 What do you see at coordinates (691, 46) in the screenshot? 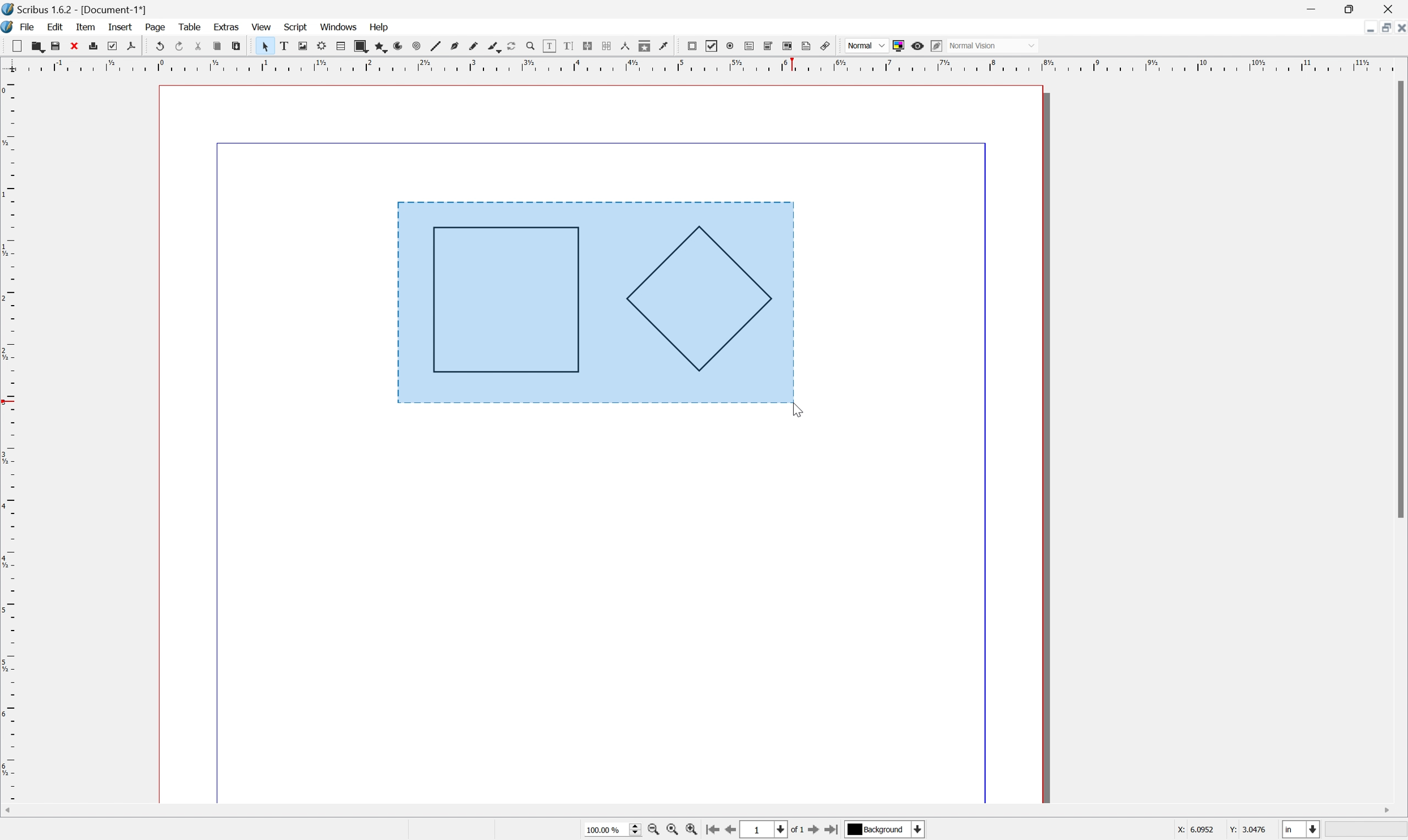
I see `pdf push button` at bounding box center [691, 46].